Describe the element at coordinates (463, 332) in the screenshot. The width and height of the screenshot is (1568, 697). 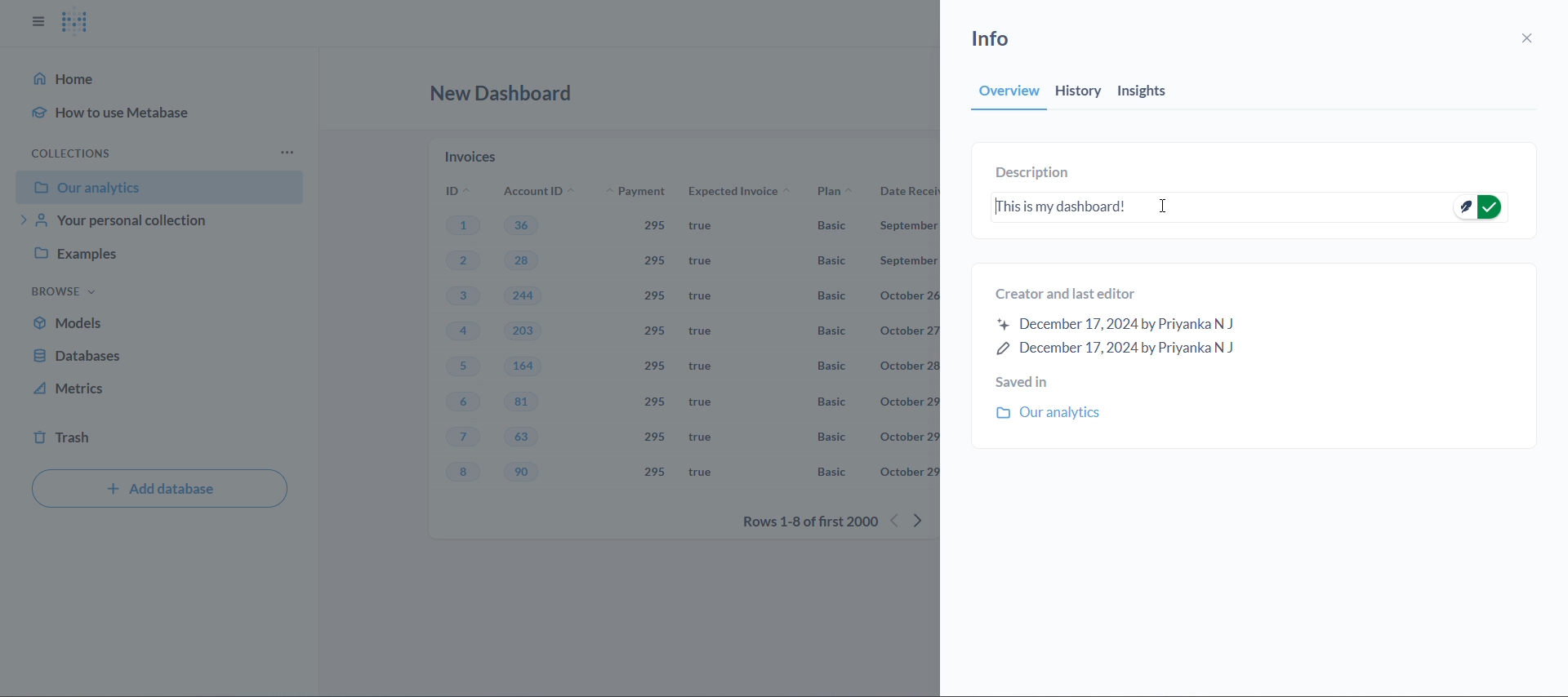
I see `4` at that location.